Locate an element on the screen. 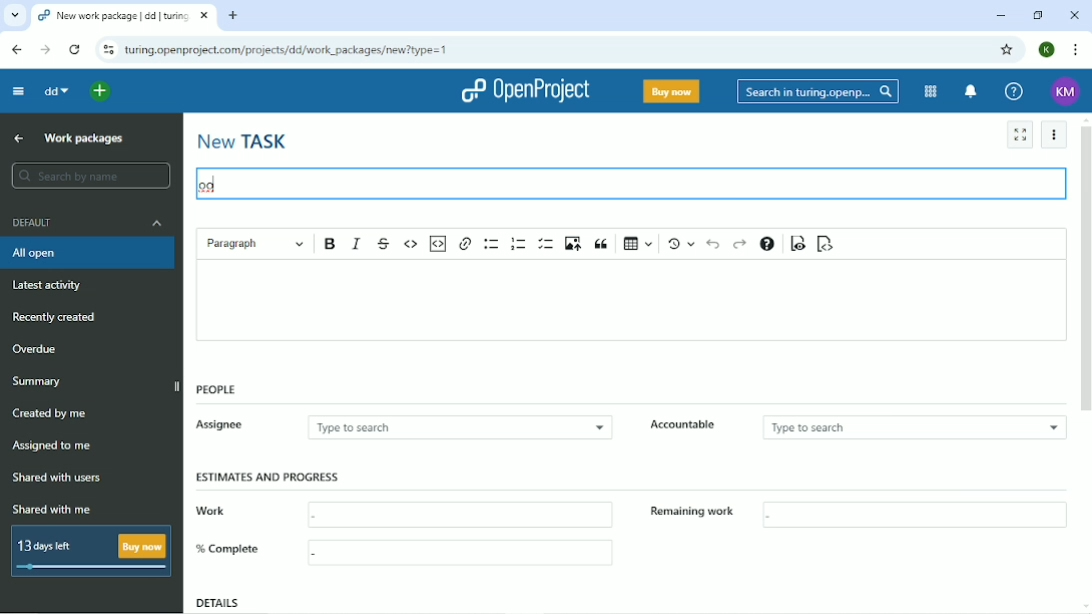  Numbered list is located at coordinates (519, 244).